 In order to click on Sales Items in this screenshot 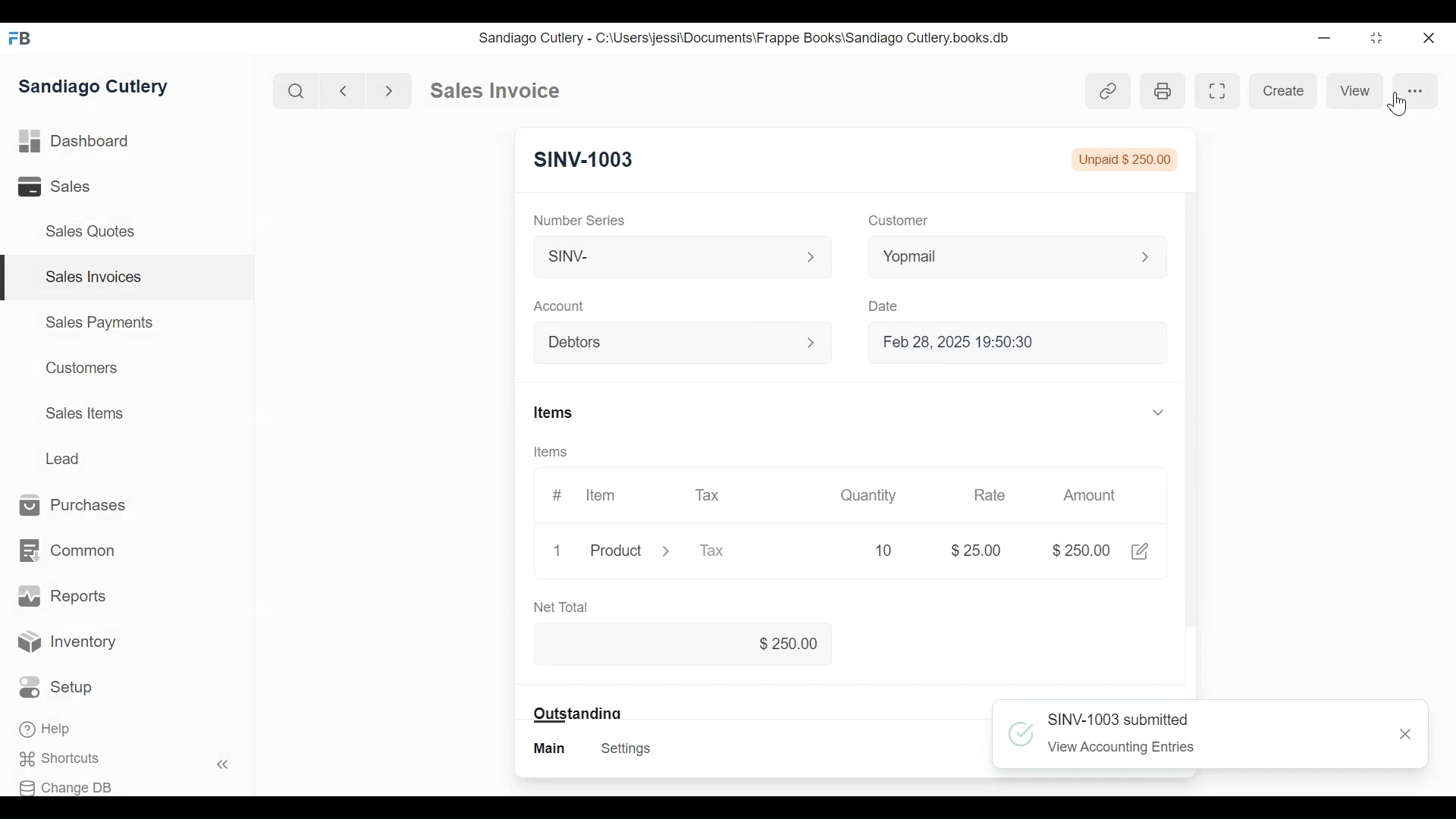, I will do `click(84, 412)`.